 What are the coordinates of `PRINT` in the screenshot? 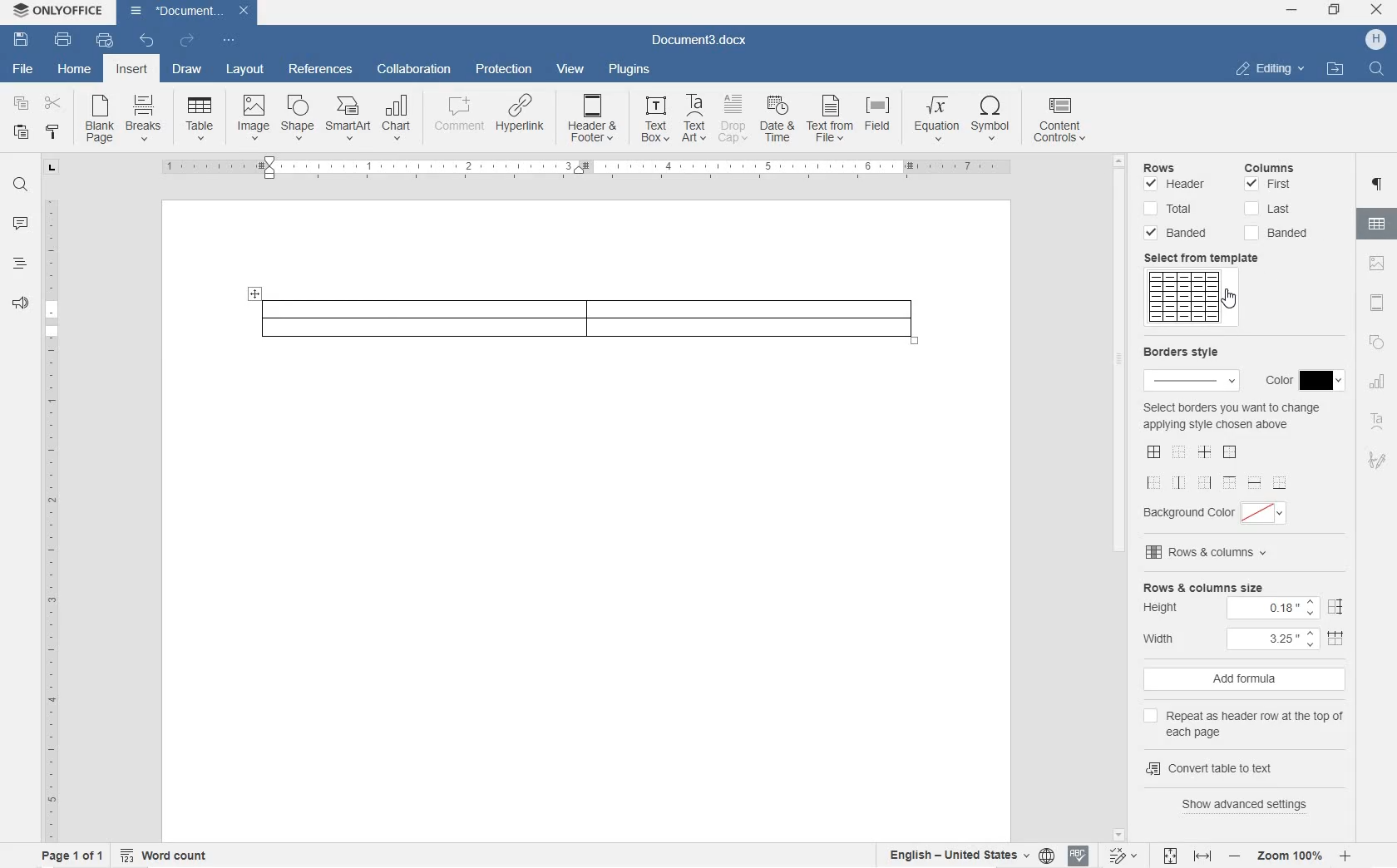 It's located at (64, 39).